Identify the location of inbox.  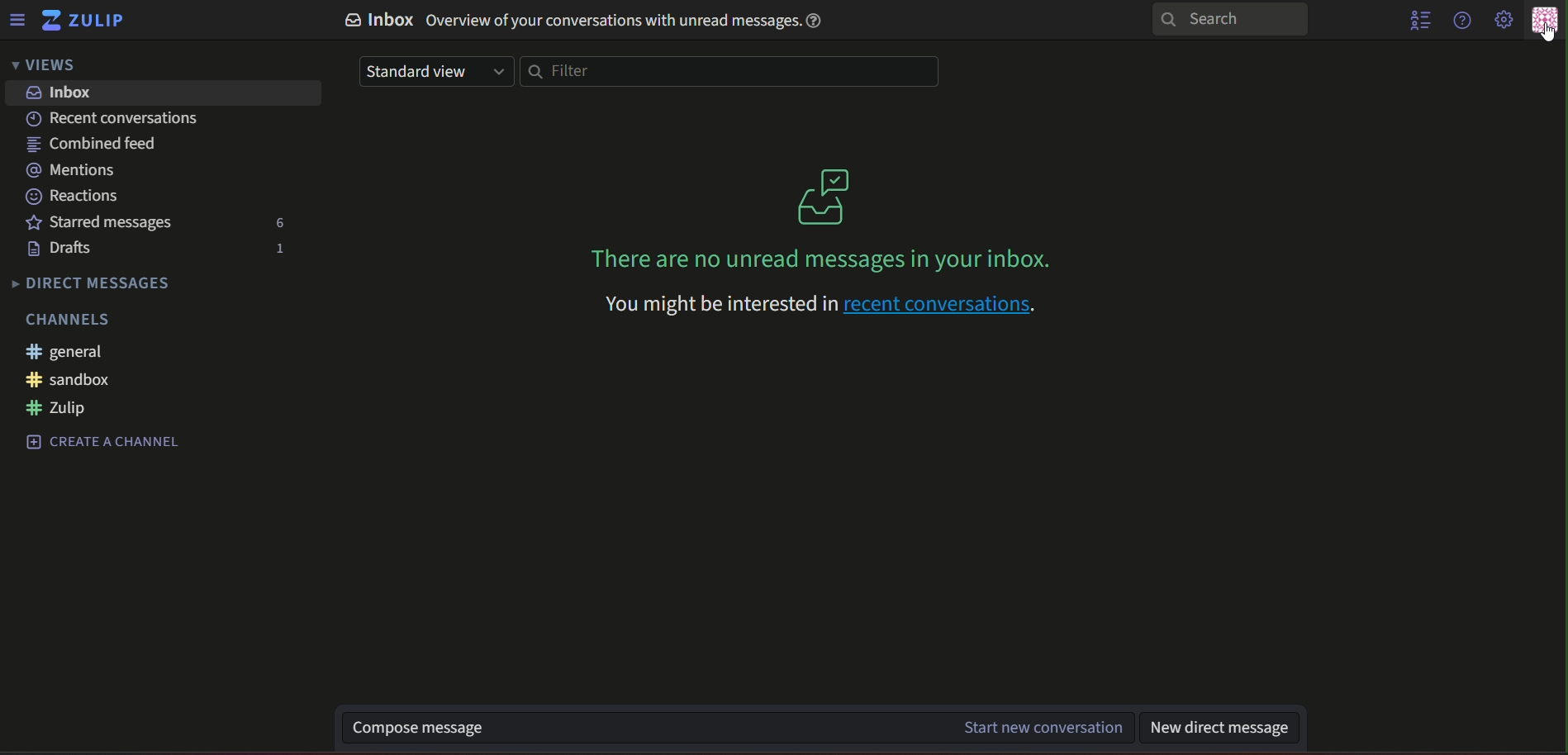
(63, 93).